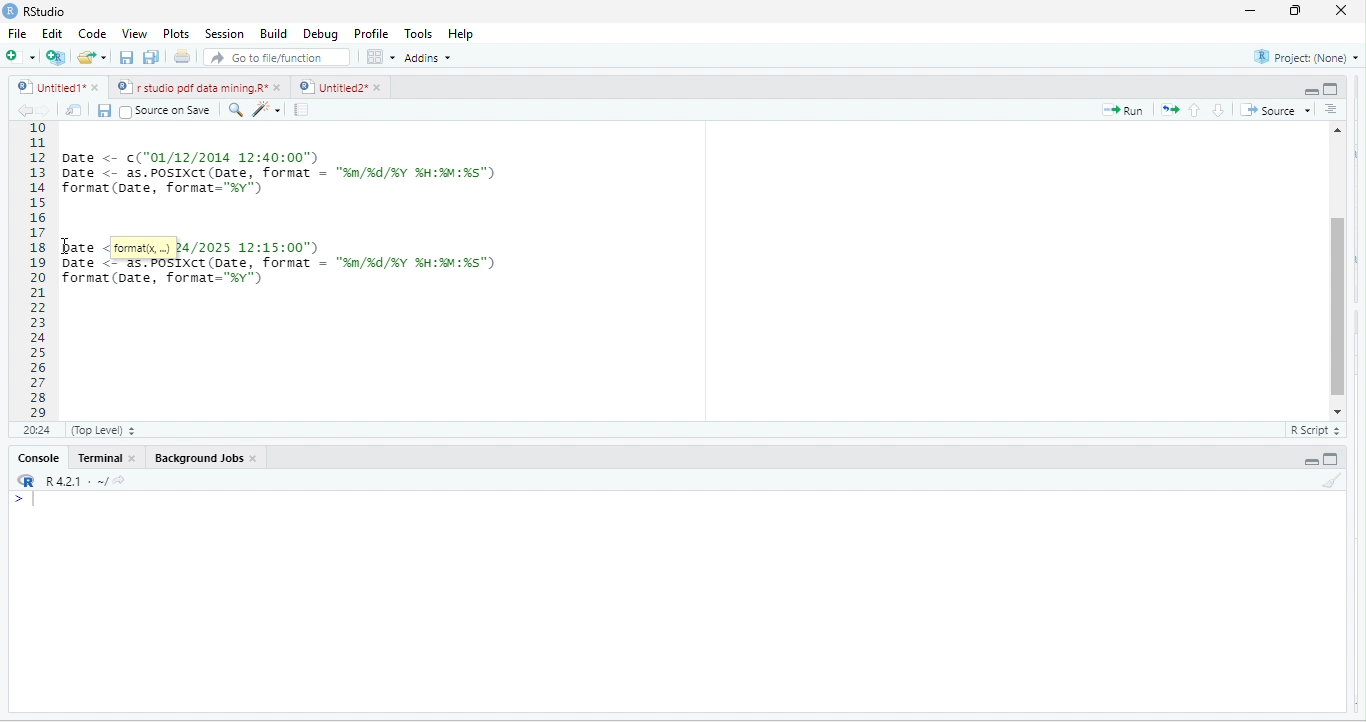 The image size is (1366, 722). Describe the element at coordinates (1197, 109) in the screenshot. I see `go to previous section/chunk` at that location.